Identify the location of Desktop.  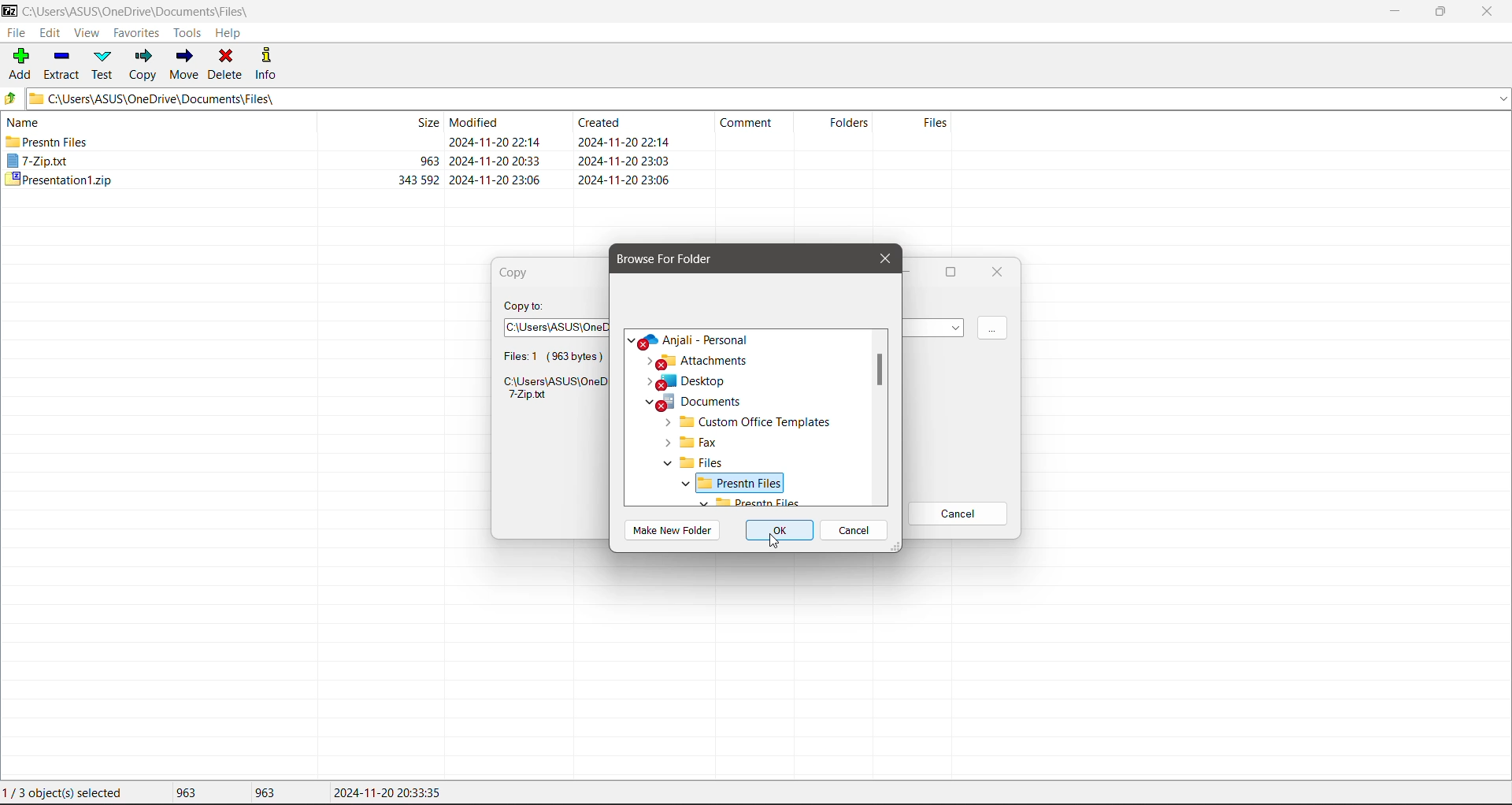
(688, 382).